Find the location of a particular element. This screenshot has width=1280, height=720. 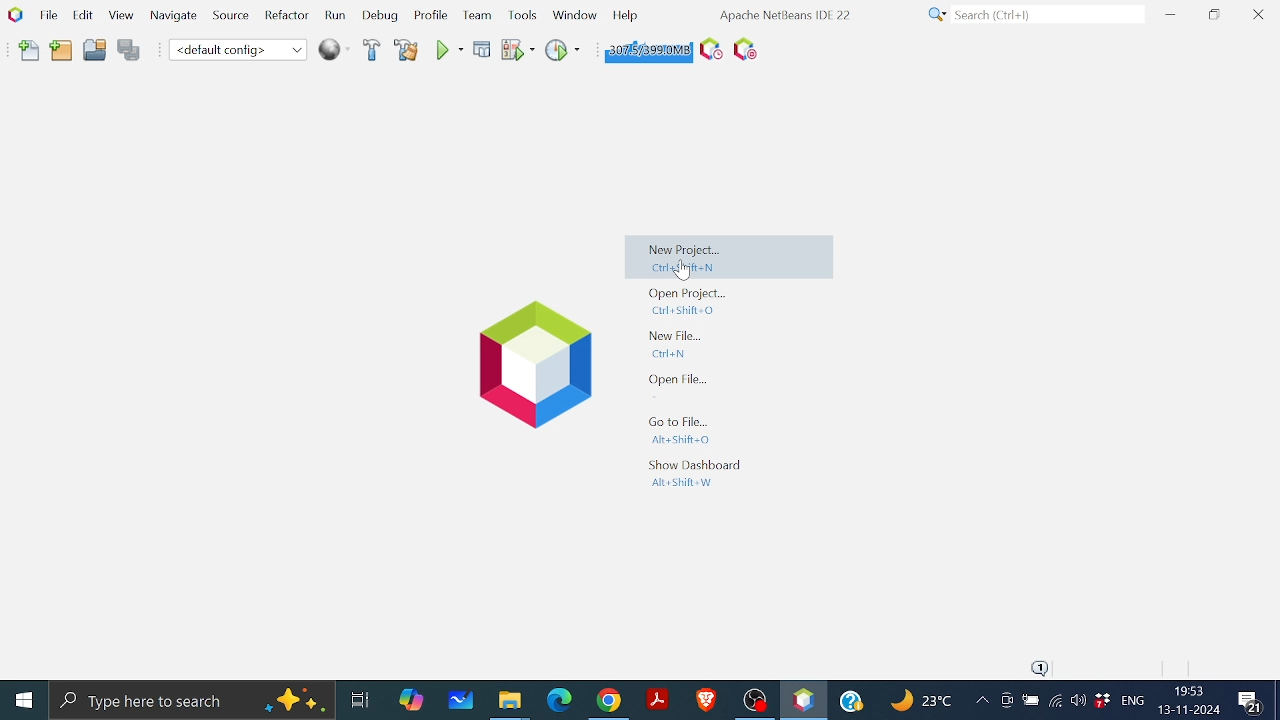

Debug is located at coordinates (482, 49).